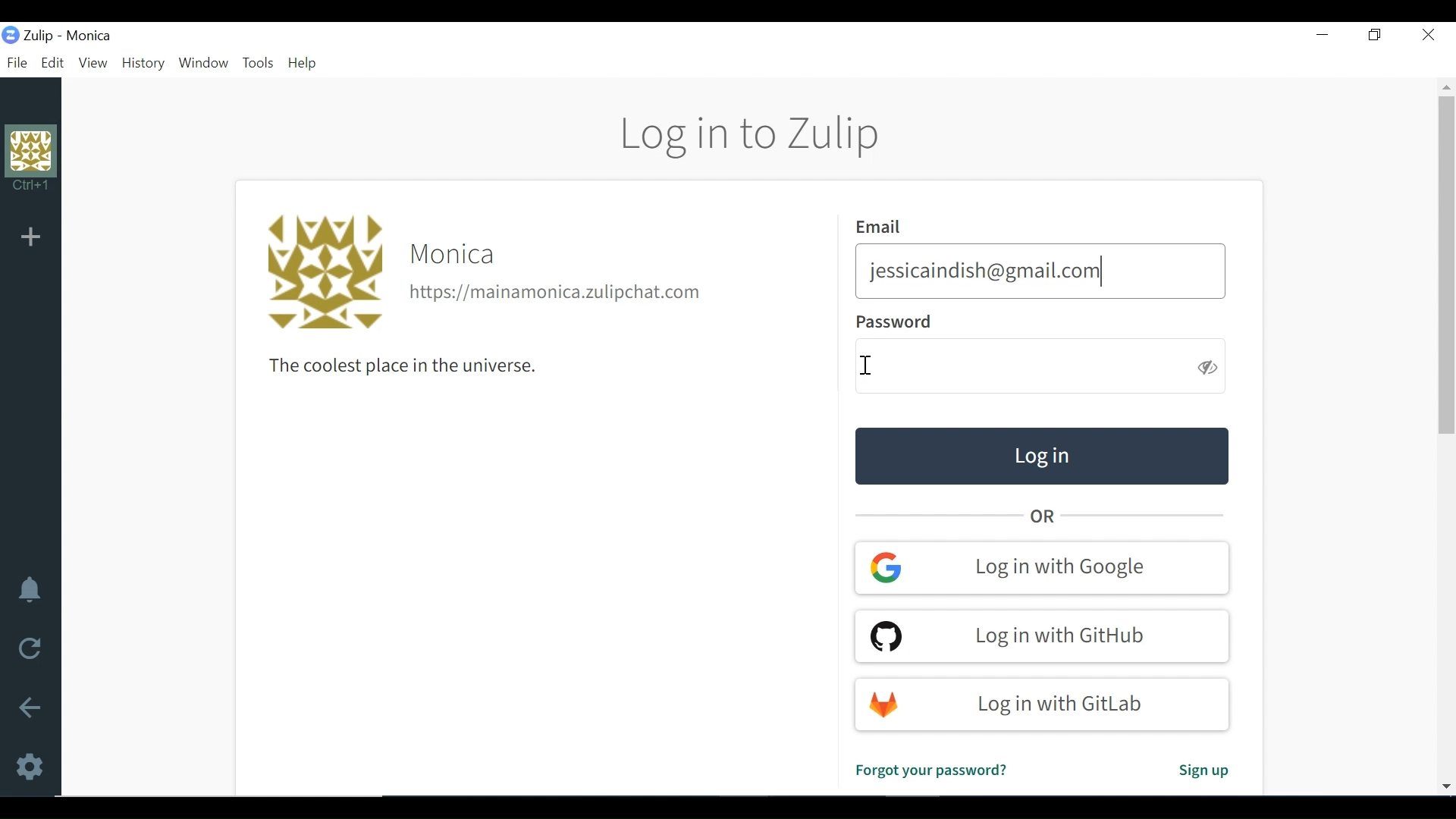 The height and width of the screenshot is (819, 1456). What do you see at coordinates (557, 293) in the screenshot?
I see `Organisation url` at bounding box center [557, 293].